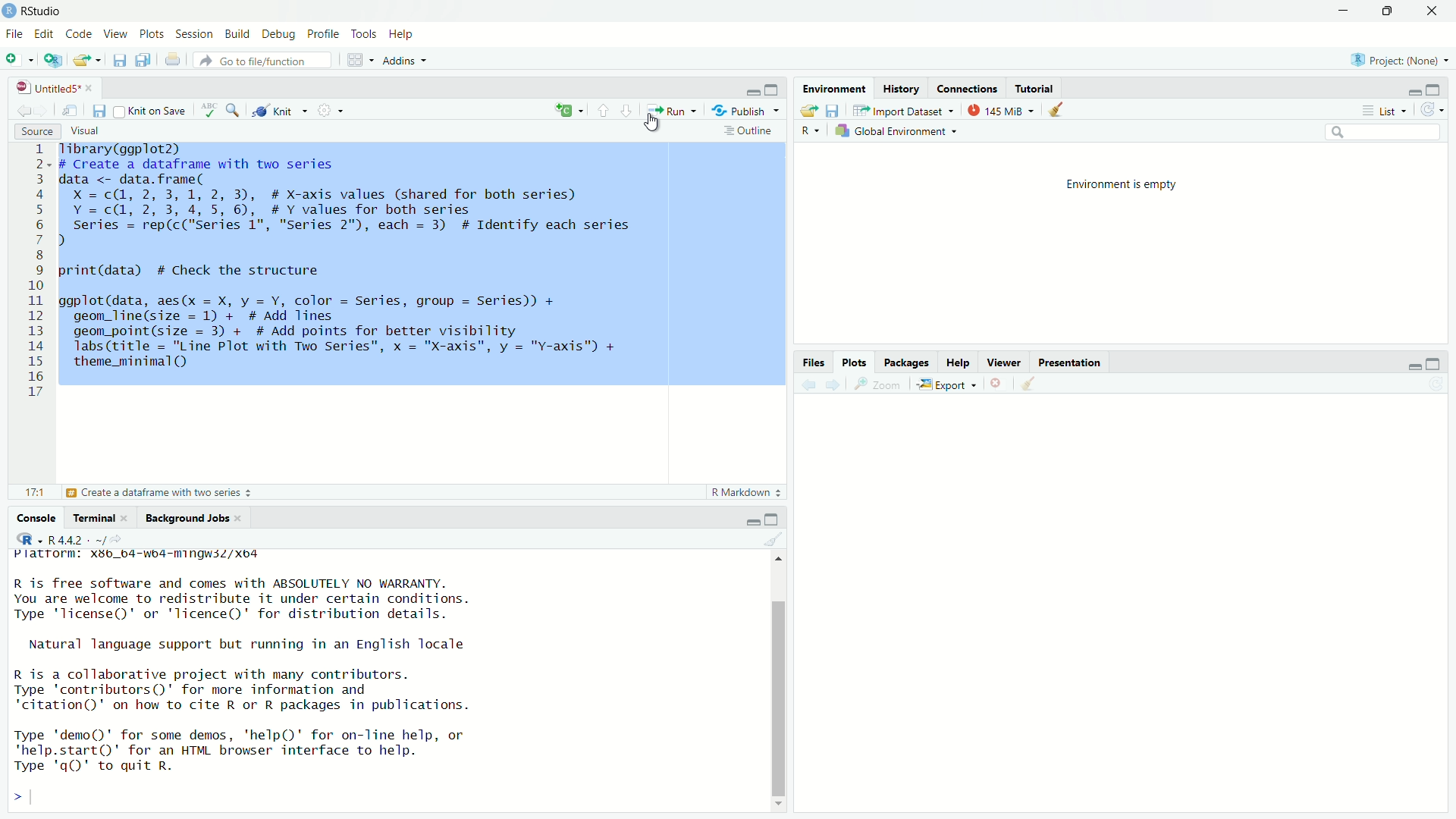 The width and height of the screenshot is (1456, 819). What do you see at coordinates (71, 111) in the screenshot?
I see `Show in new window` at bounding box center [71, 111].